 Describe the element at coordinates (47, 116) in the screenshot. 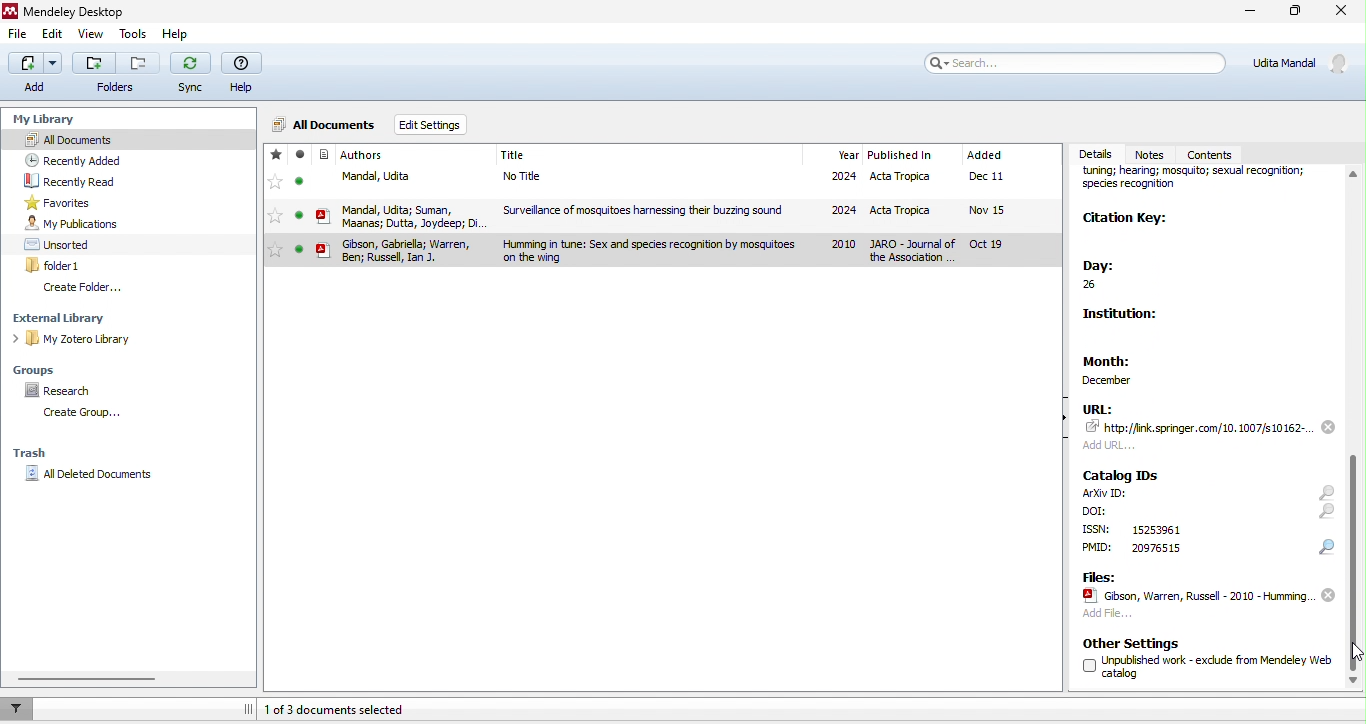

I see `my library` at that location.